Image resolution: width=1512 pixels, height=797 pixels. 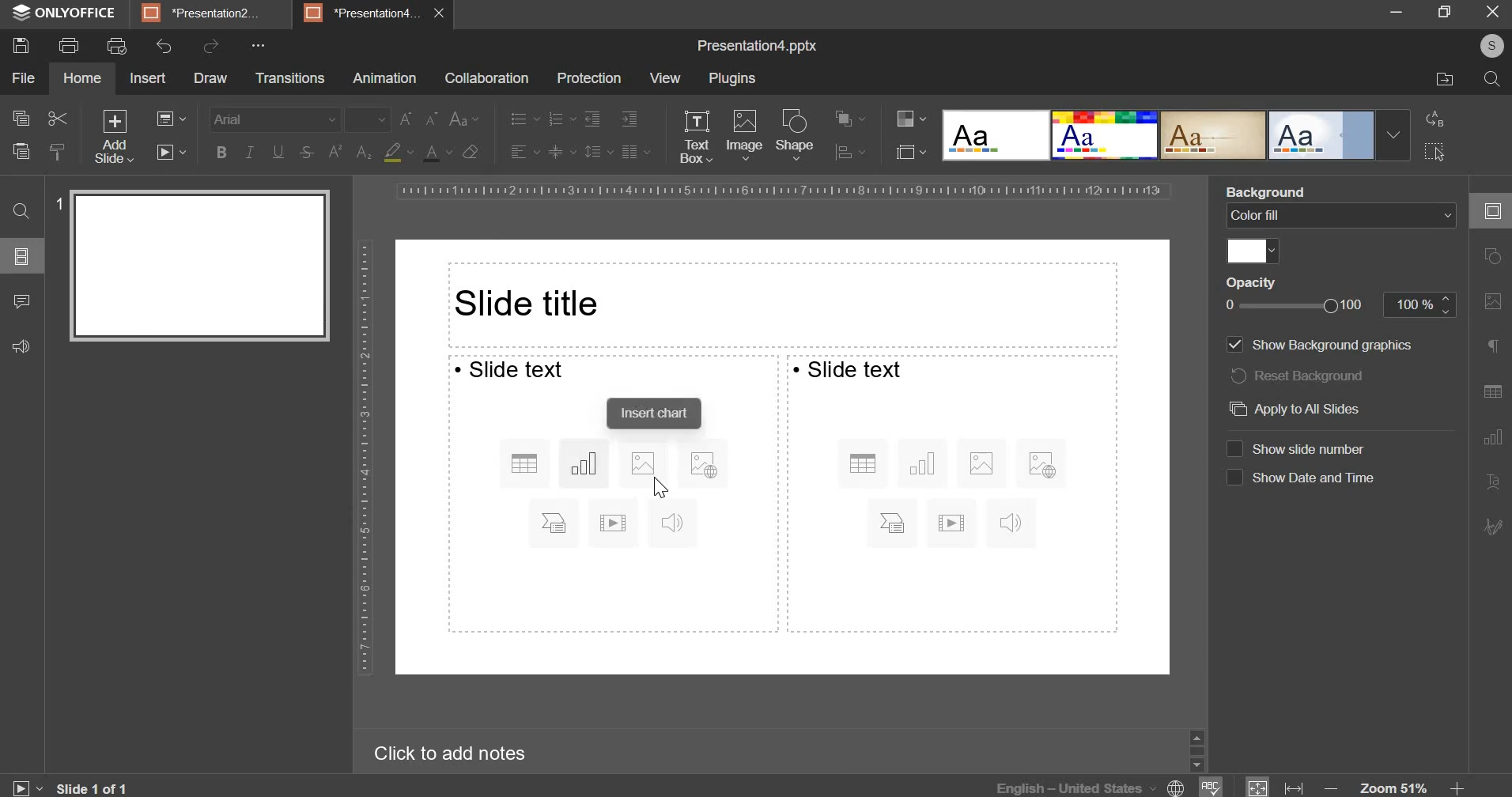 What do you see at coordinates (275, 116) in the screenshot?
I see `font` at bounding box center [275, 116].